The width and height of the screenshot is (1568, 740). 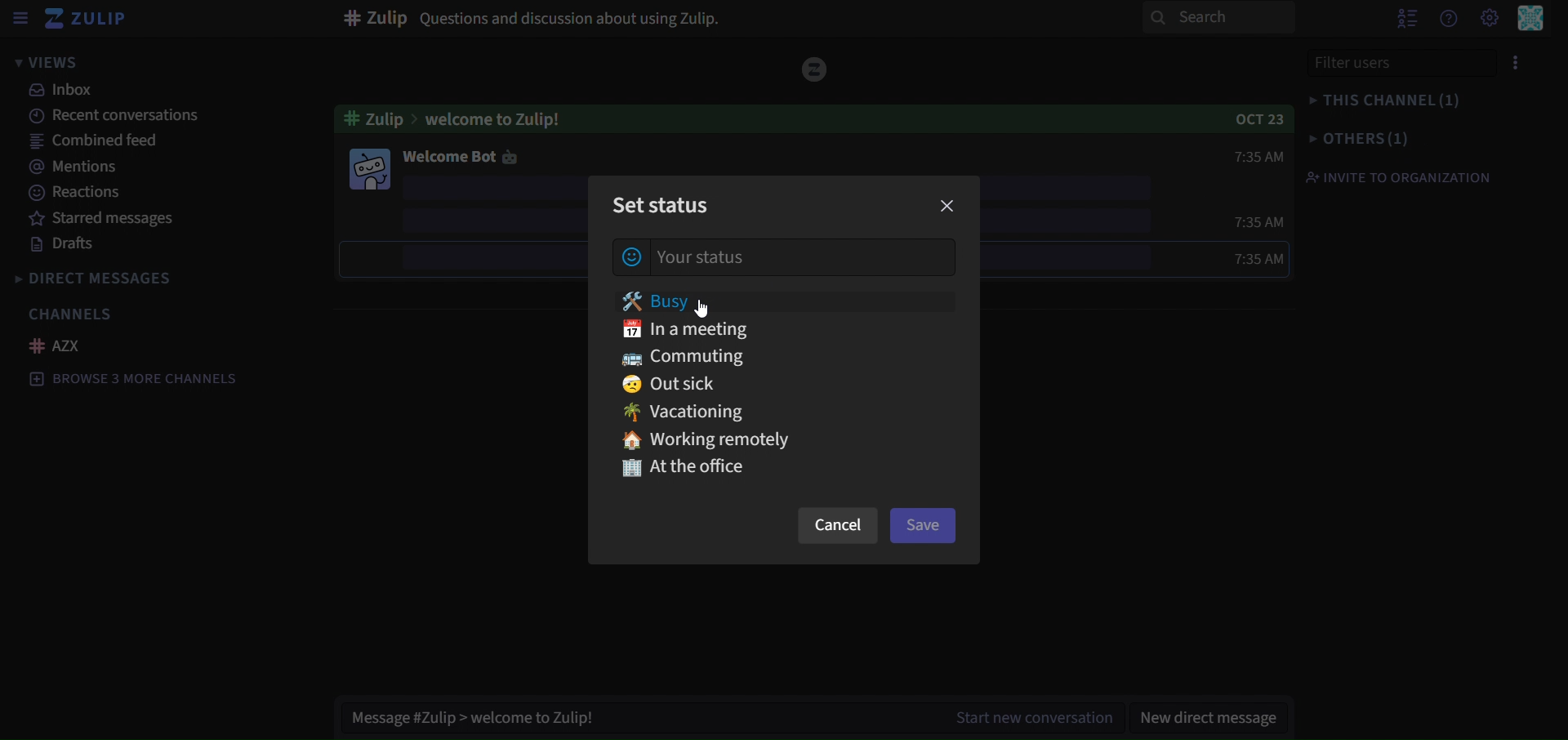 I want to click on browse 3 more channels, so click(x=135, y=380).